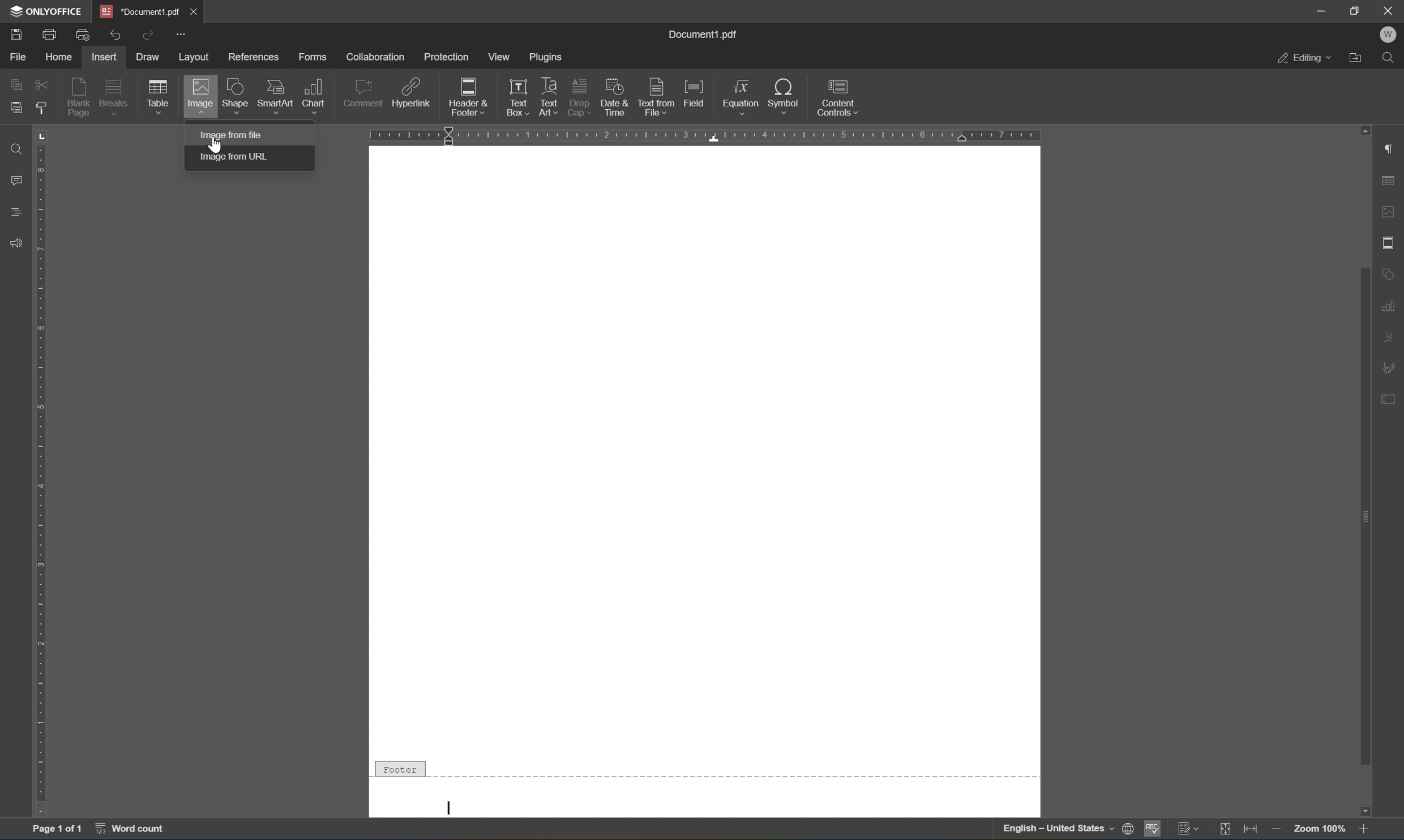  What do you see at coordinates (196, 57) in the screenshot?
I see `layout` at bounding box center [196, 57].